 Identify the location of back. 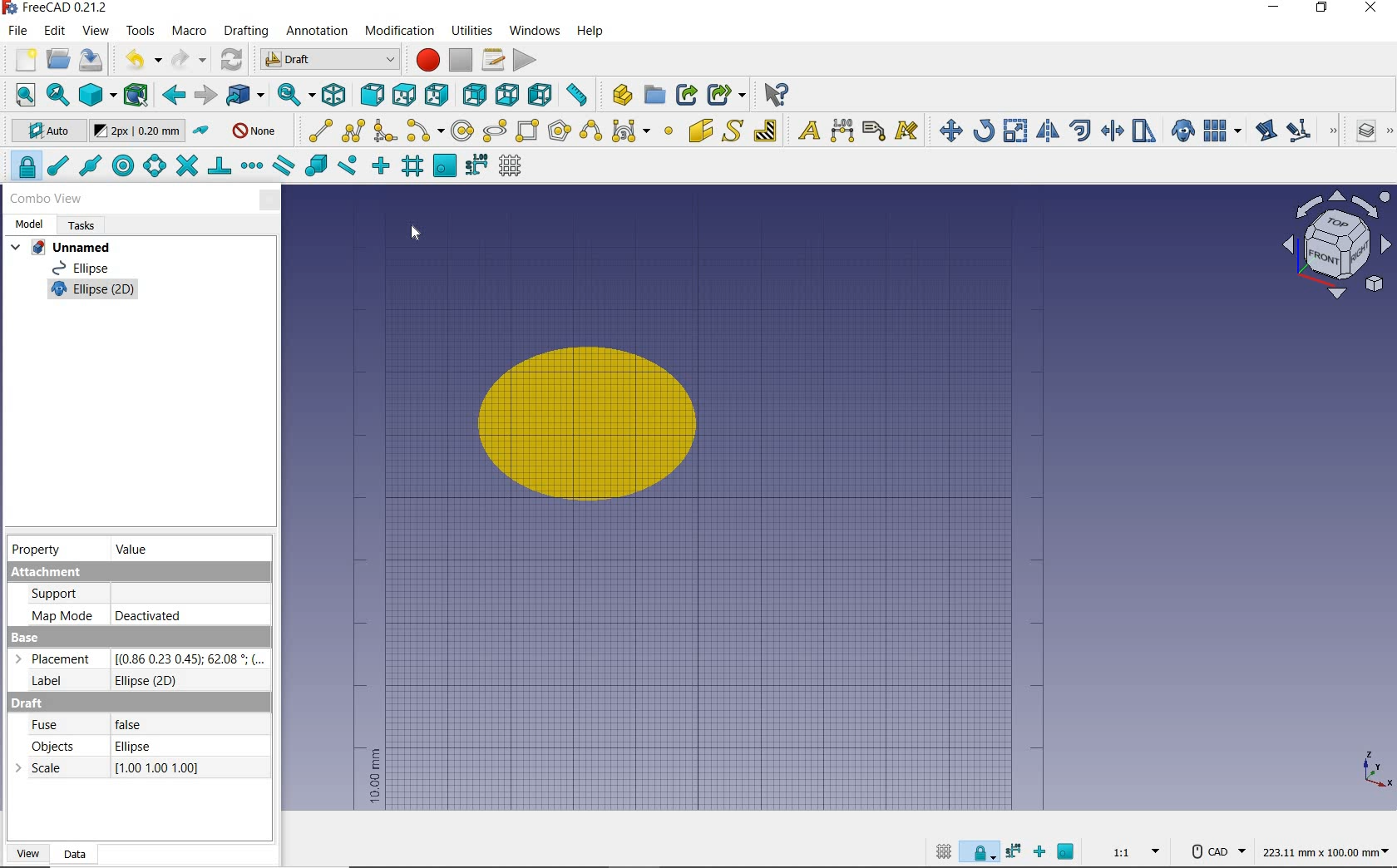
(171, 96).